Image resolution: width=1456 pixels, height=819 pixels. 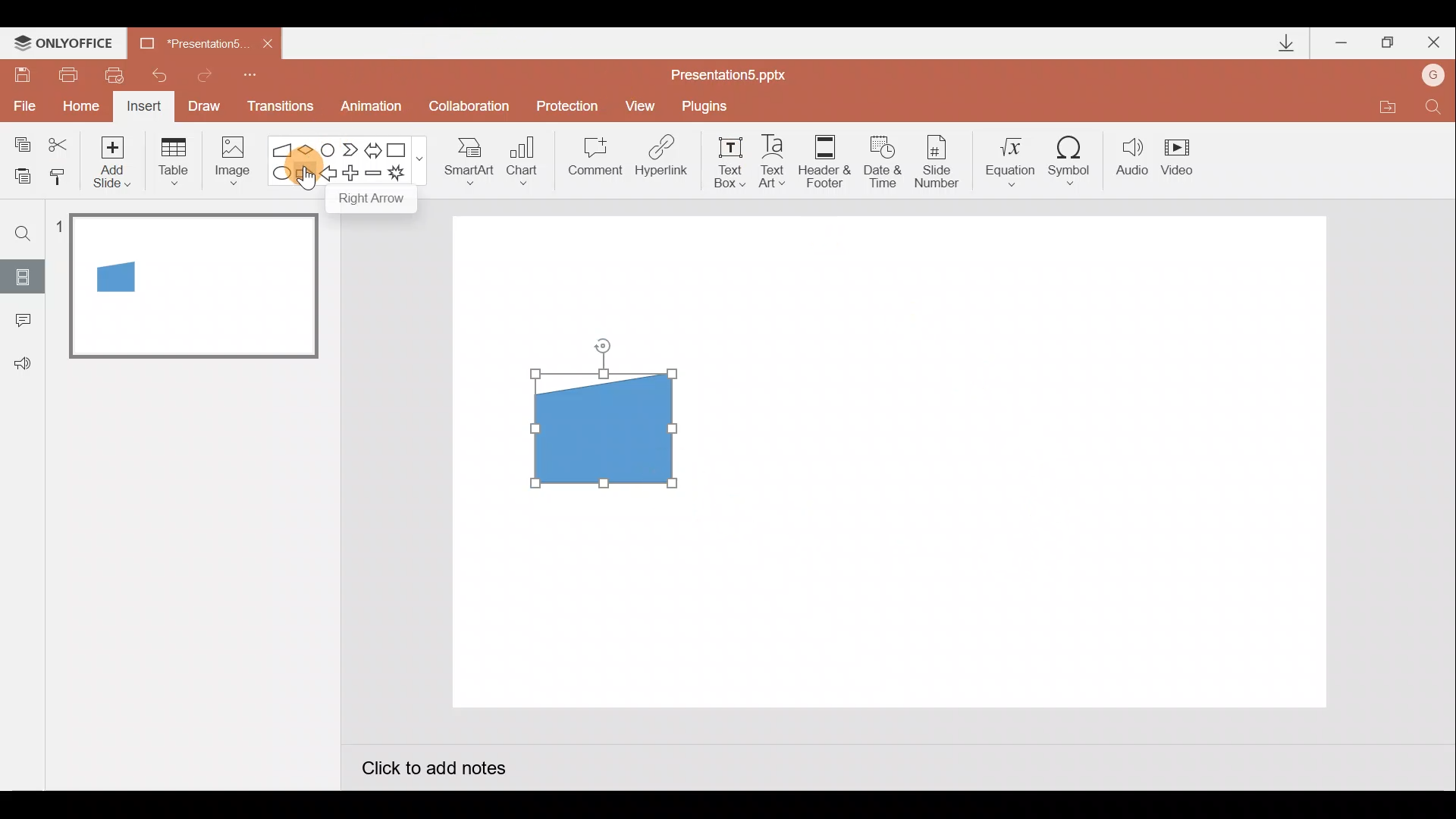 What do you see at coordinates (278, 108) in the screenshot?
I see `Transitions` at bounding box center [278, 108].